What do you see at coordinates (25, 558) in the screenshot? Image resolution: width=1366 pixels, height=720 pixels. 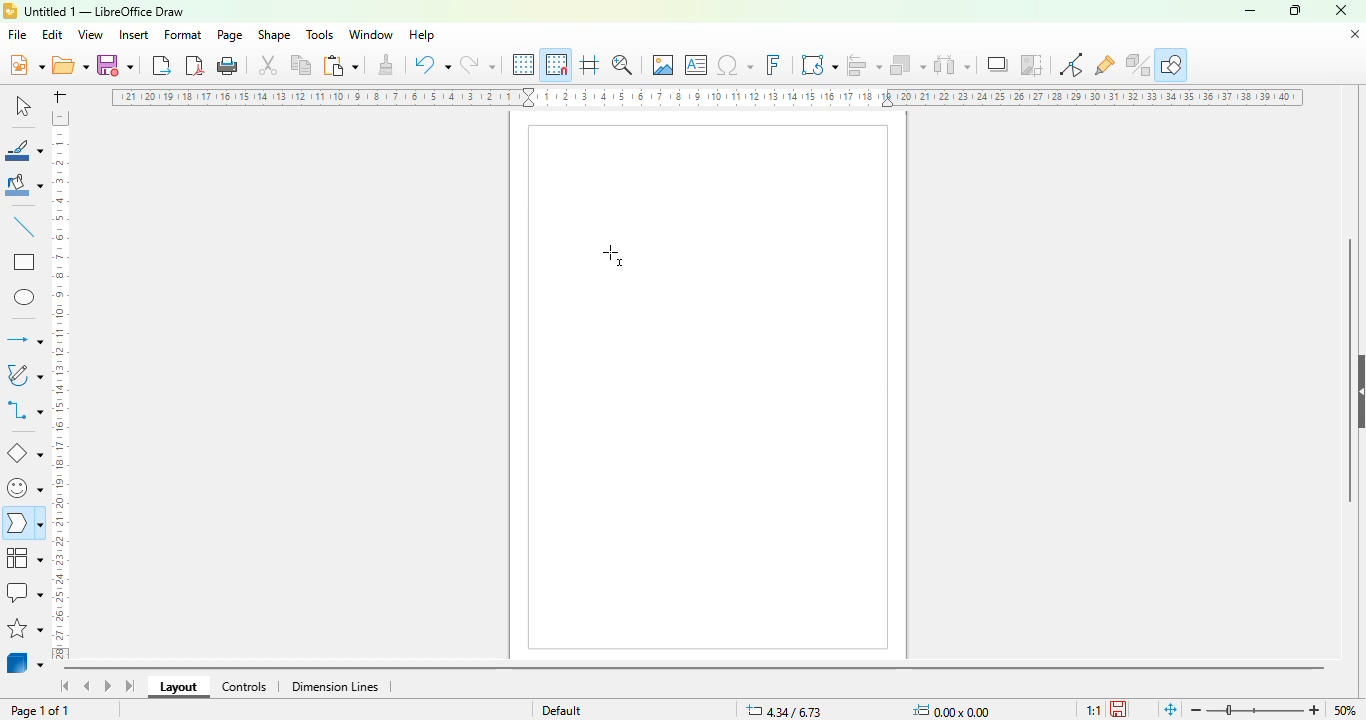 I see `flowchart` at bounding box center [25, 558].